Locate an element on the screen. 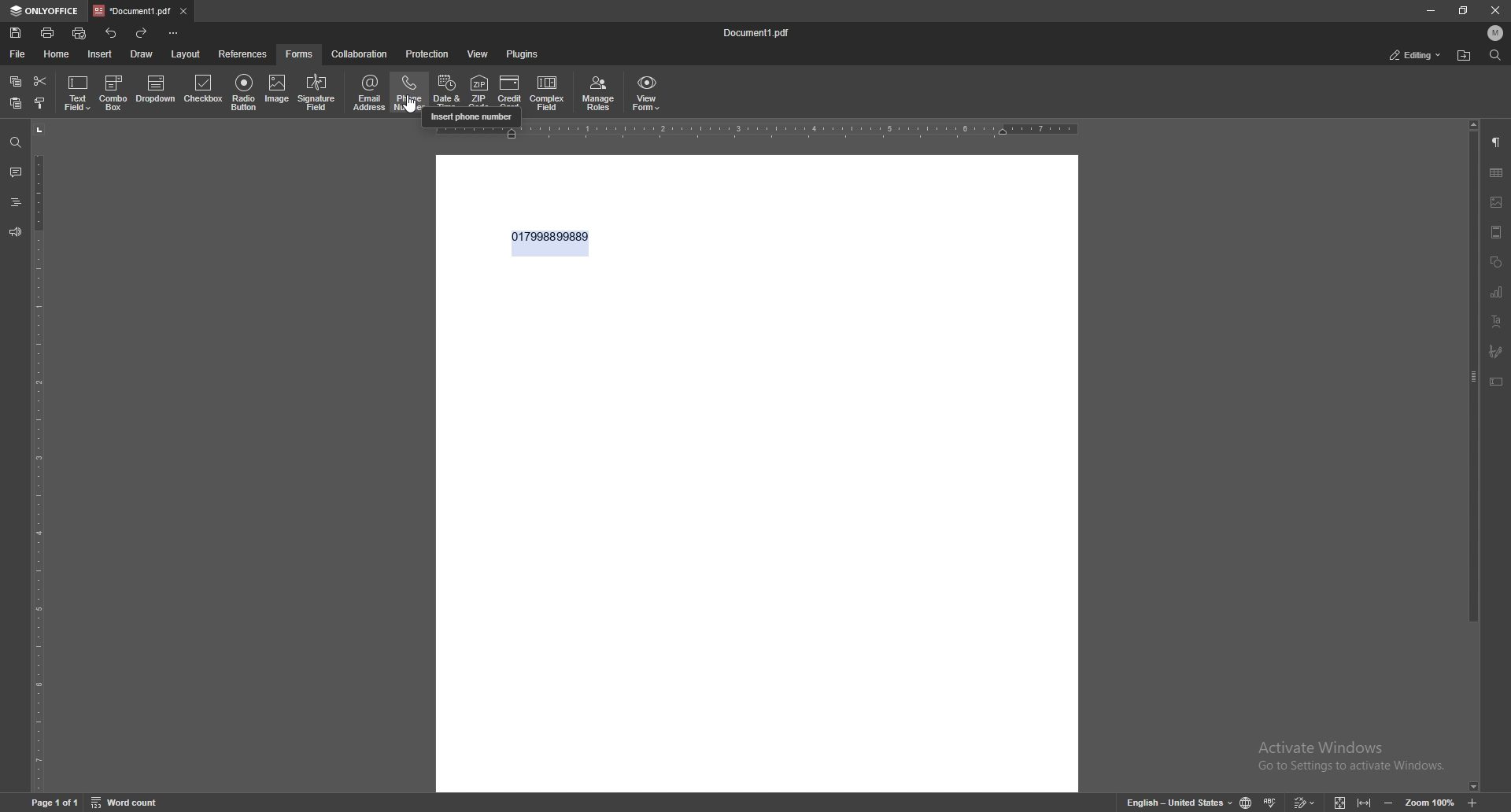  view form is located at coordinates (647, 92).